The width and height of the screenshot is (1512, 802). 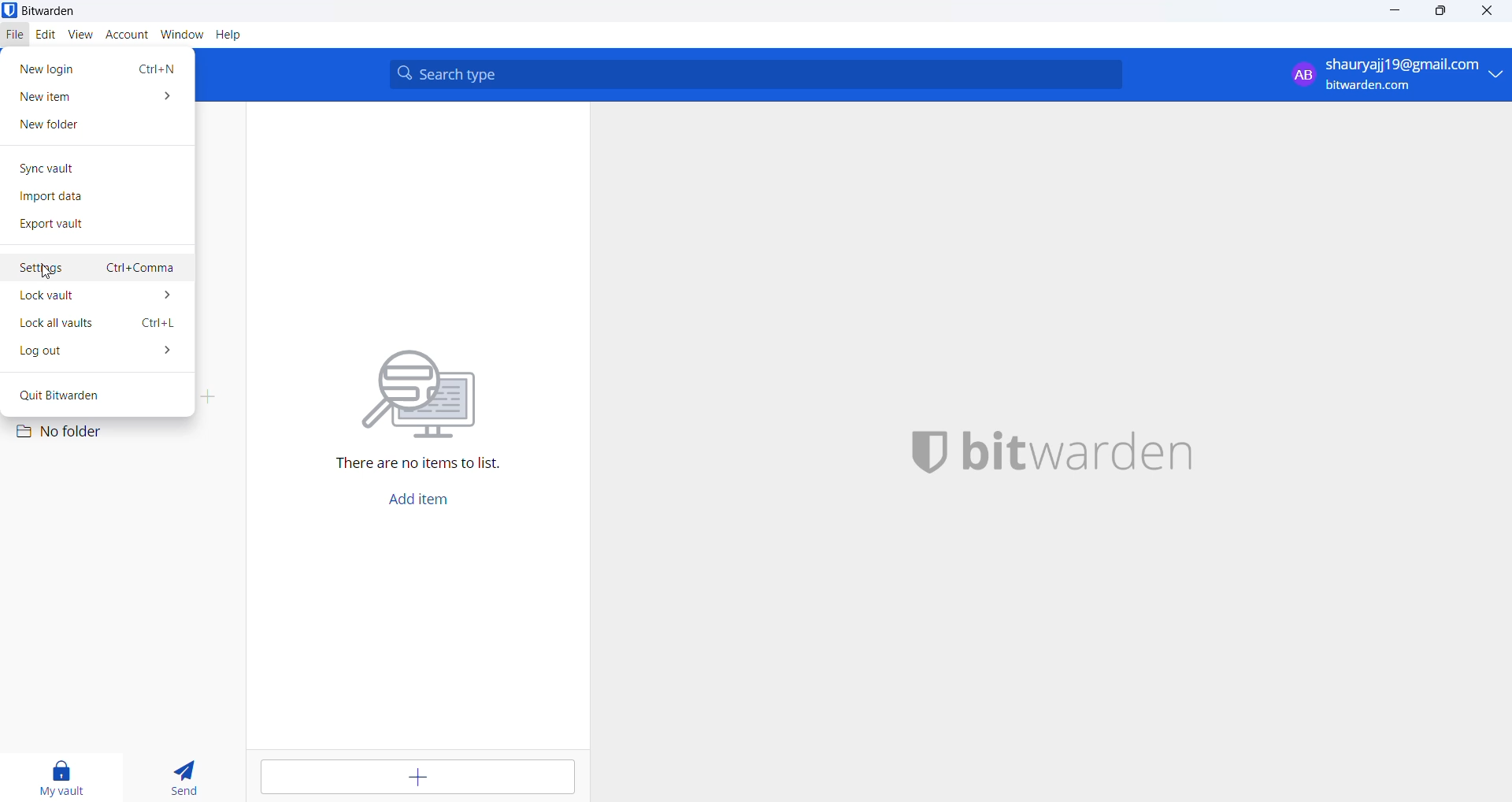 What do you see at coordinates (91, 394) in the screenshot?
I see `quit bitwarden` at bounding box center [91, 394].